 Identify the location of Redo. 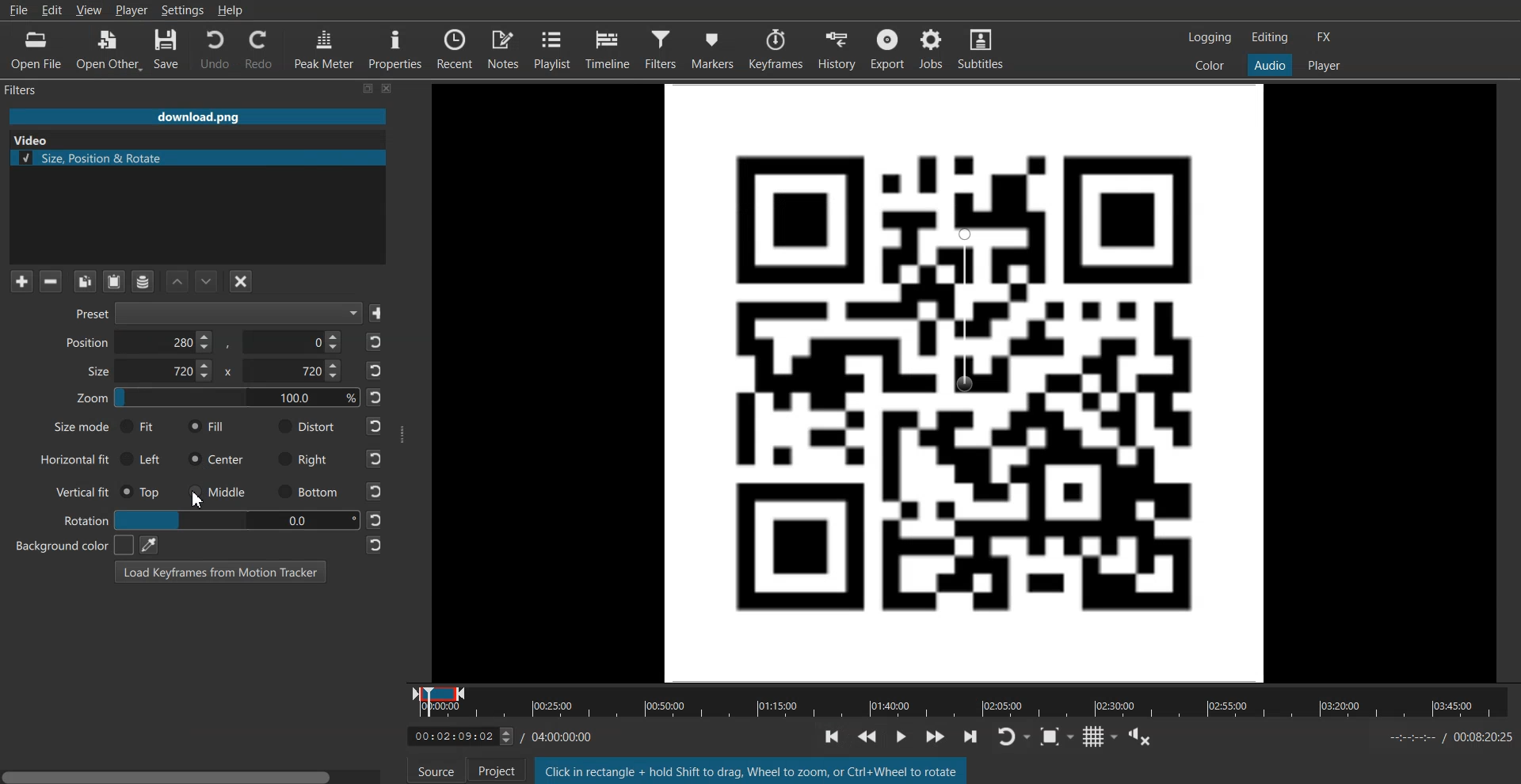
(259, 51).